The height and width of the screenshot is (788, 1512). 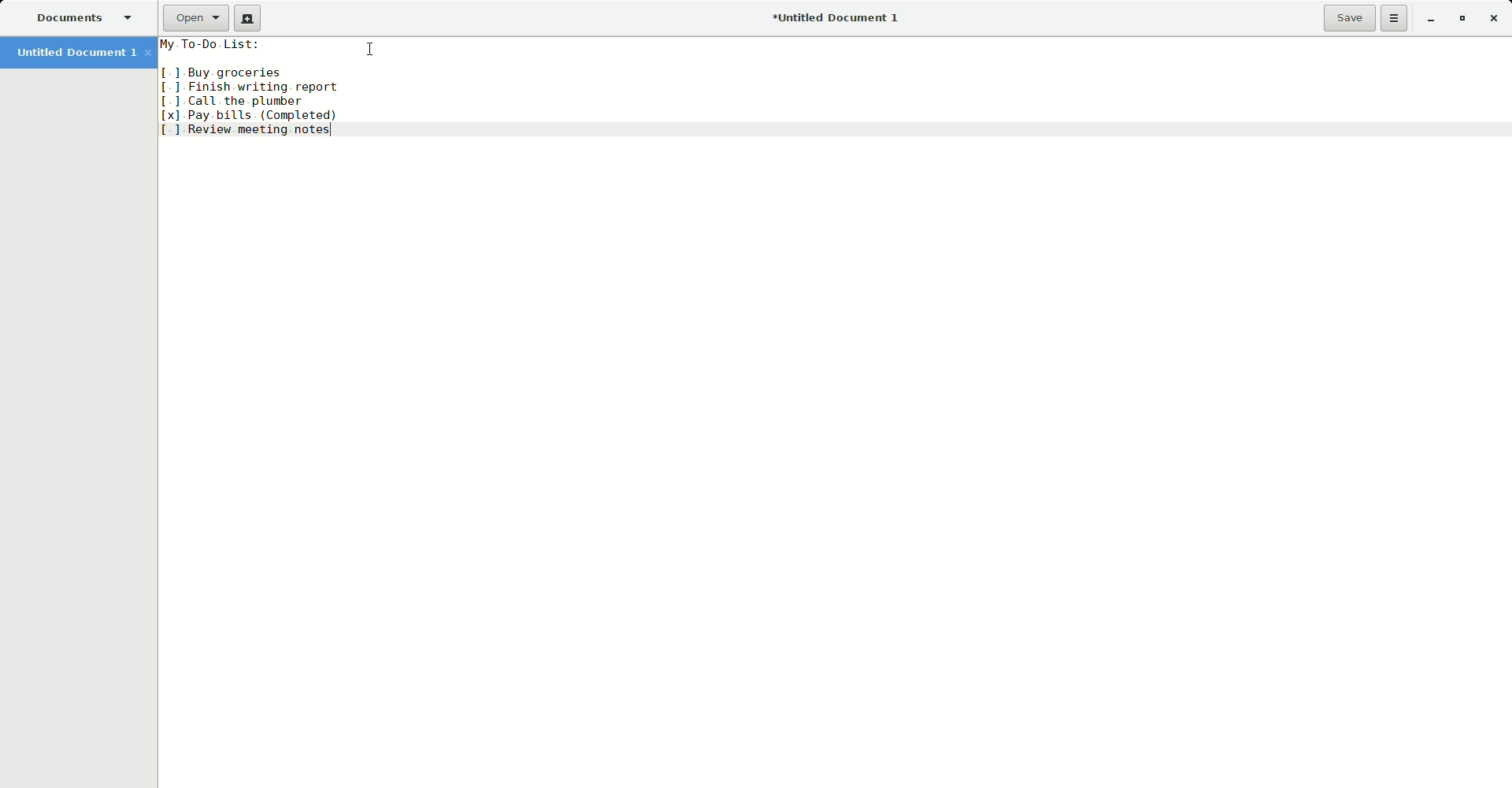 I want to click on Documents, so click(x=85, y=17).